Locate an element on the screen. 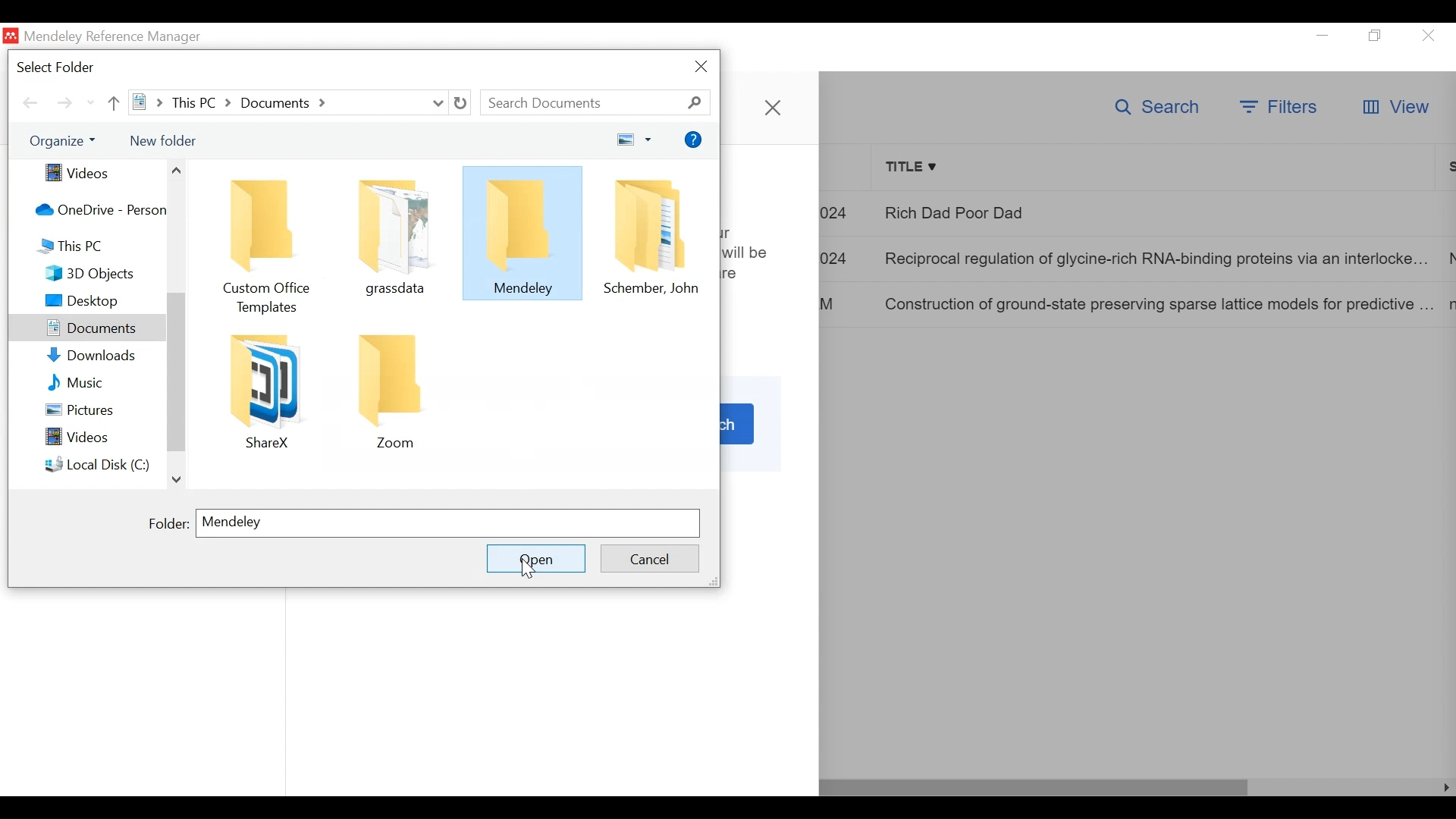 The width and height of the screenshot is (1456, 819). Scroll Right is located at coordinates (1444, 788).